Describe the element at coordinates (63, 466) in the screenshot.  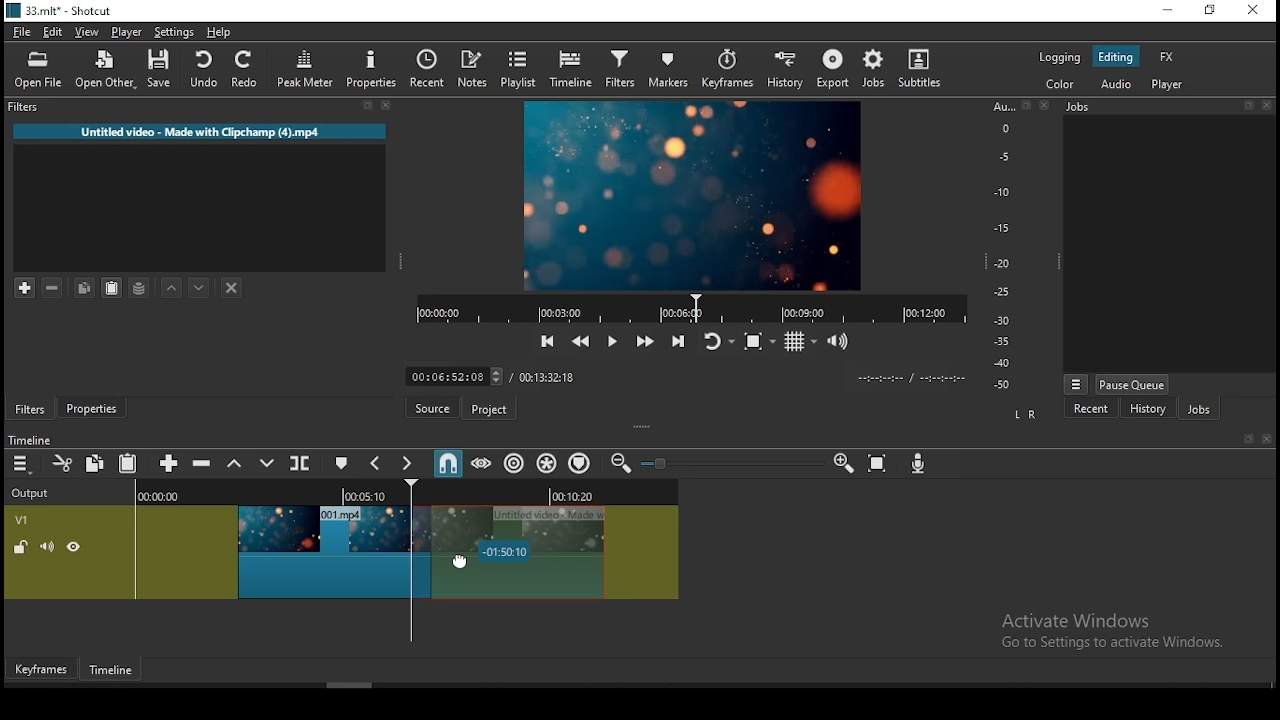
I see `cut` at that location.